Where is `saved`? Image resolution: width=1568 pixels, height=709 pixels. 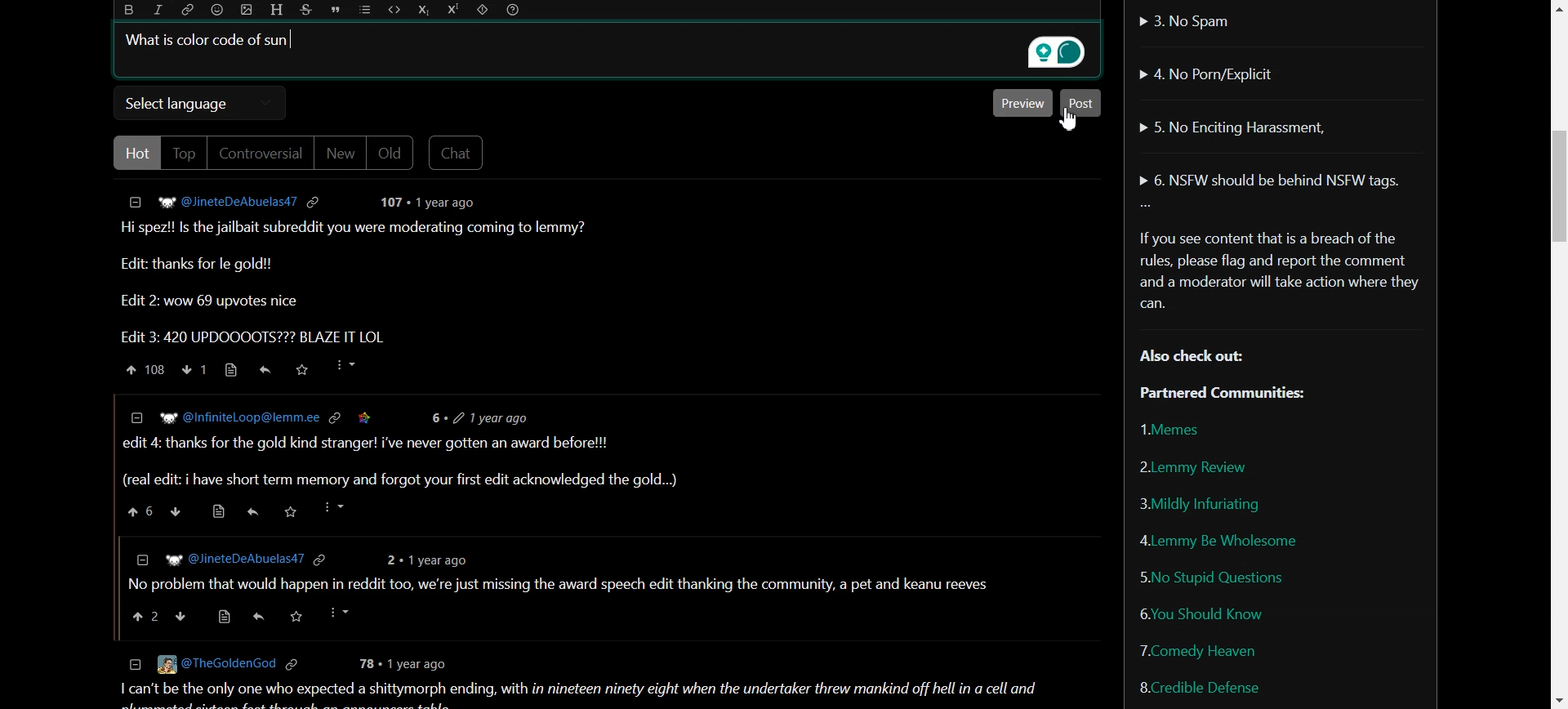
saved is located at coordinates (298, 616).